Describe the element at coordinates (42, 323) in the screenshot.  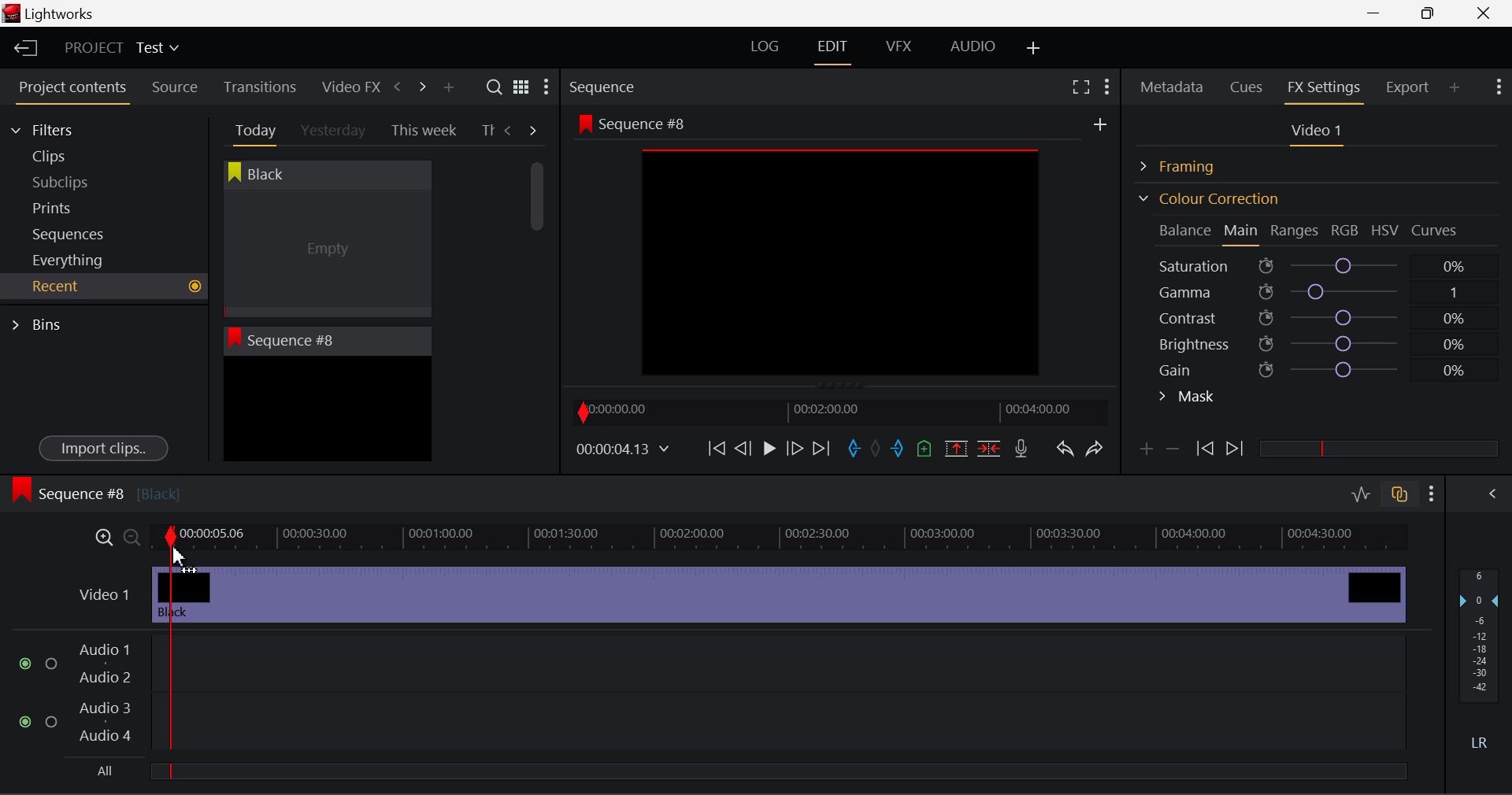
I see `Bins` at that location.